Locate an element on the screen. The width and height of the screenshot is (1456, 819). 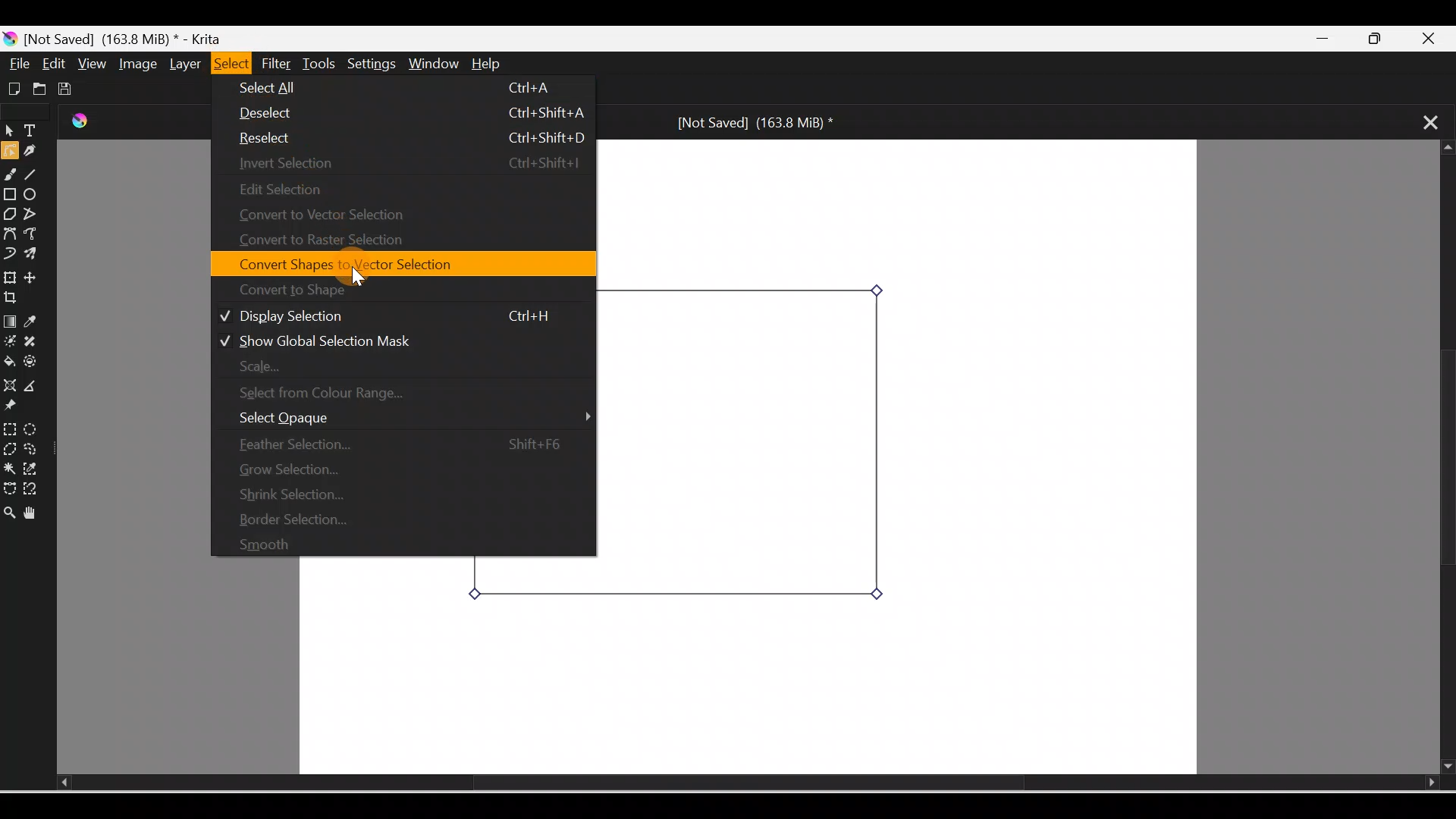
Ellipse is located at coordinates (35, 196).